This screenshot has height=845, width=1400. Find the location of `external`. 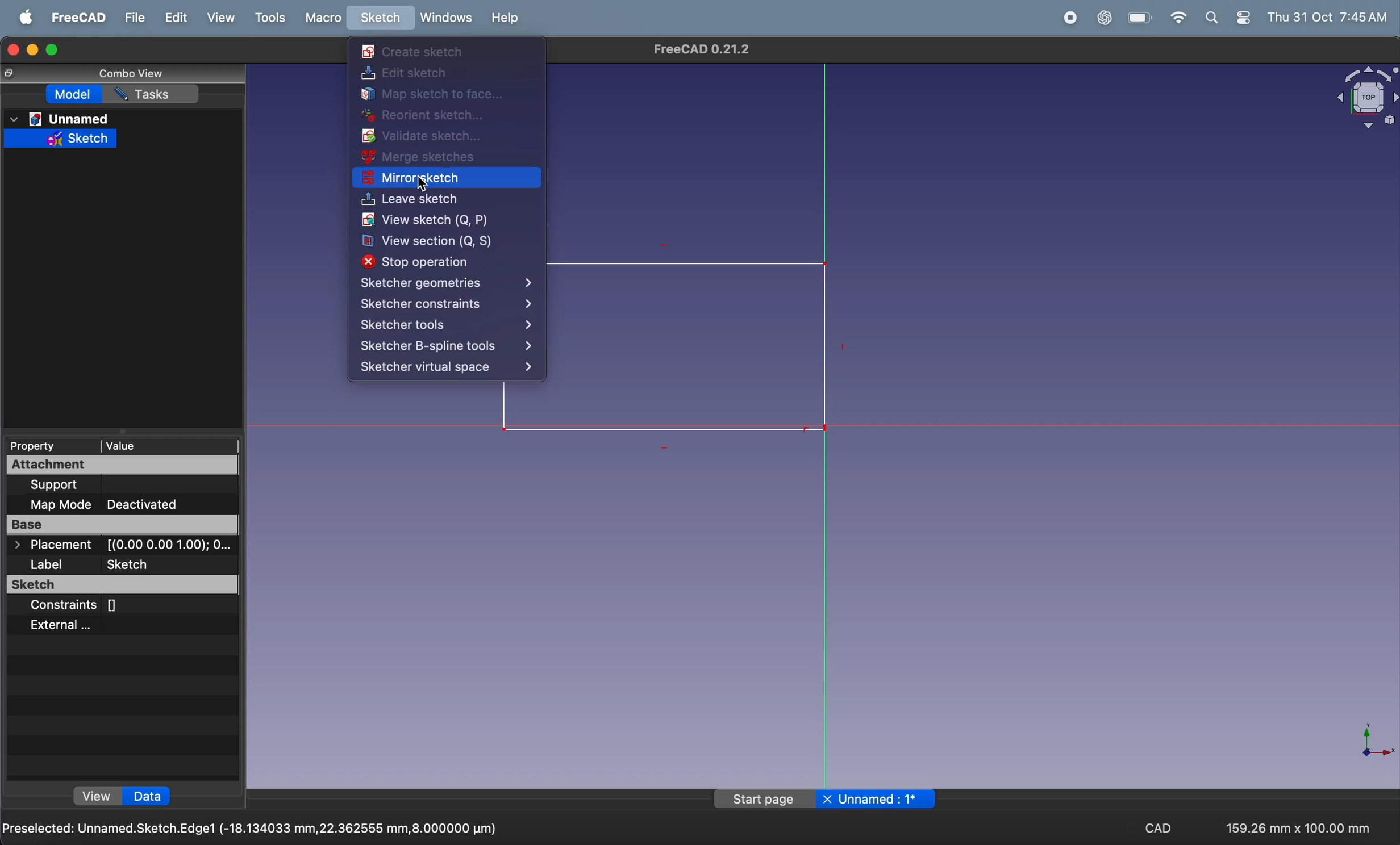

external is located at coordinates (111, 626).